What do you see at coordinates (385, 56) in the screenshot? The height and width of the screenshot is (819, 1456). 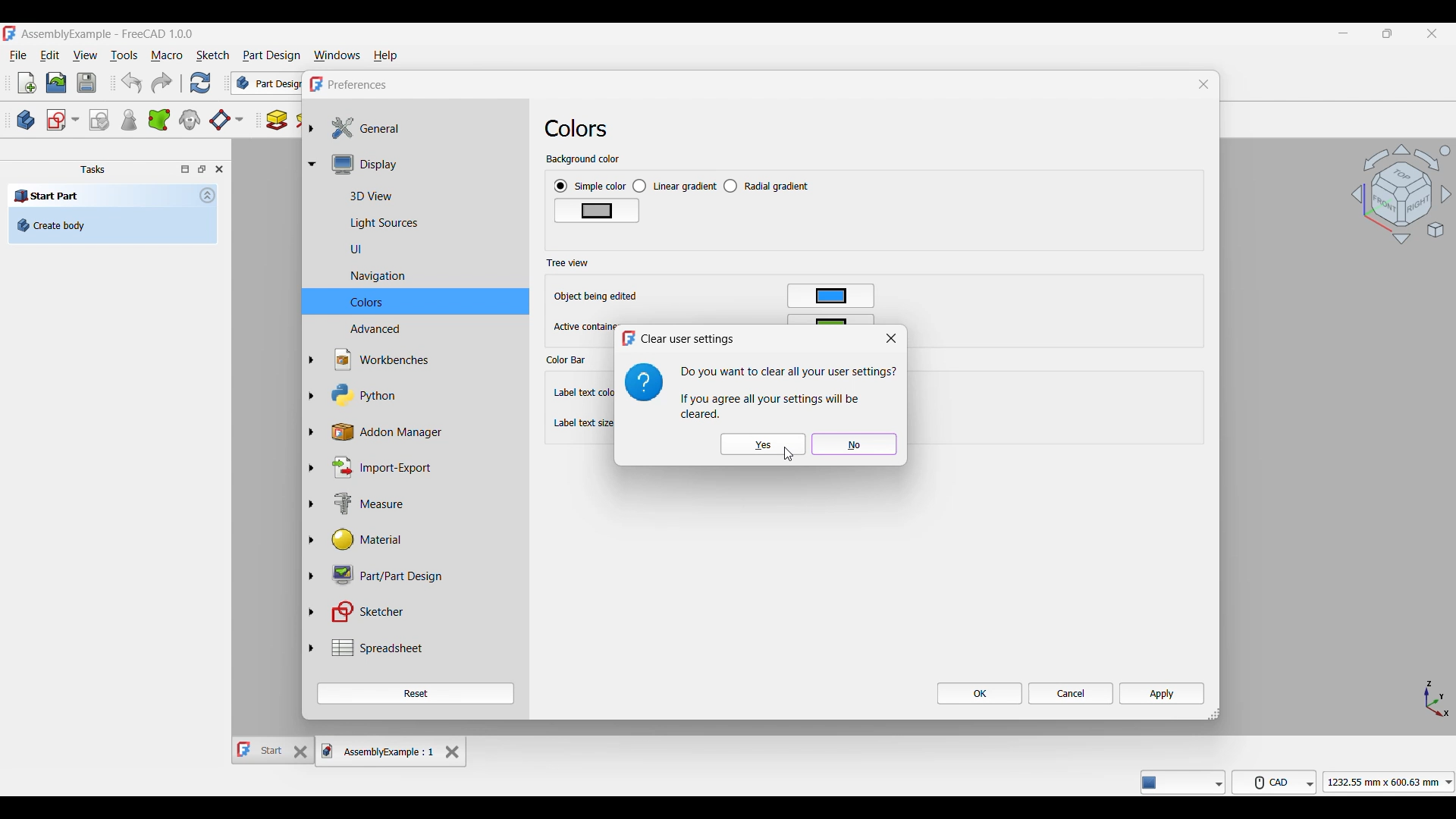 I see `Help menu` at bounding box center [385, 56].